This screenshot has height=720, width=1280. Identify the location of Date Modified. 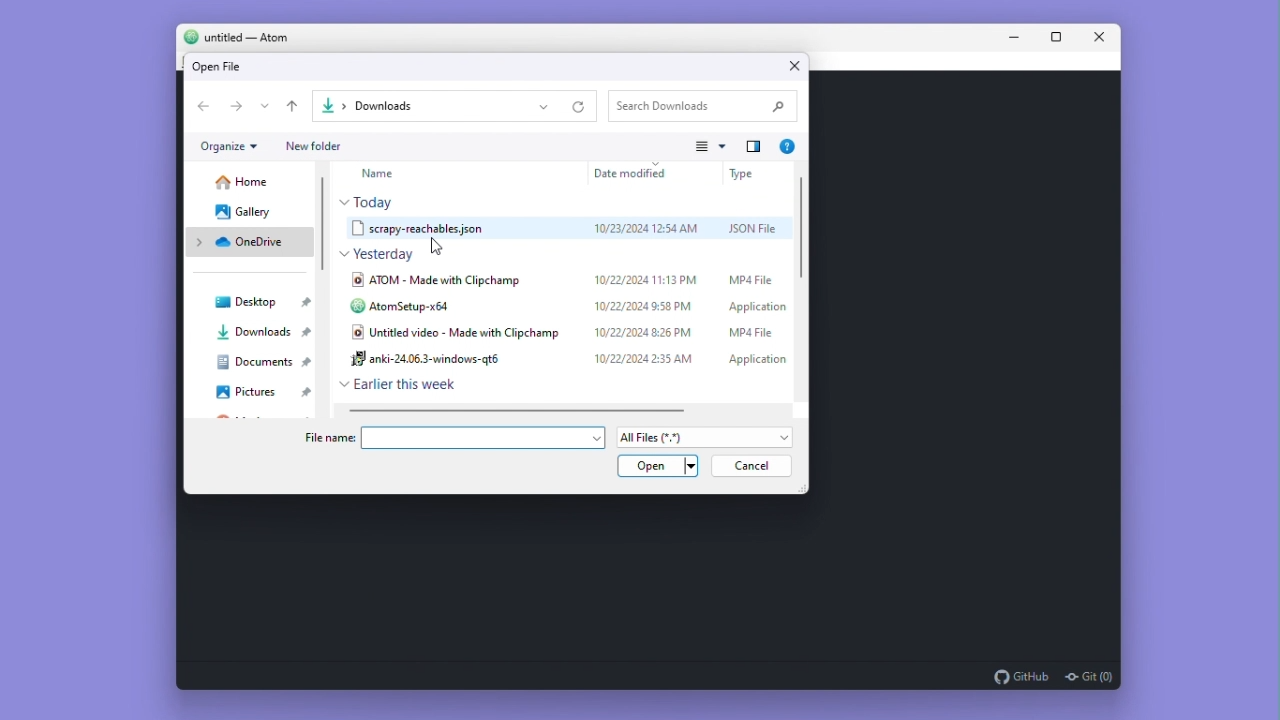
(630, 173).